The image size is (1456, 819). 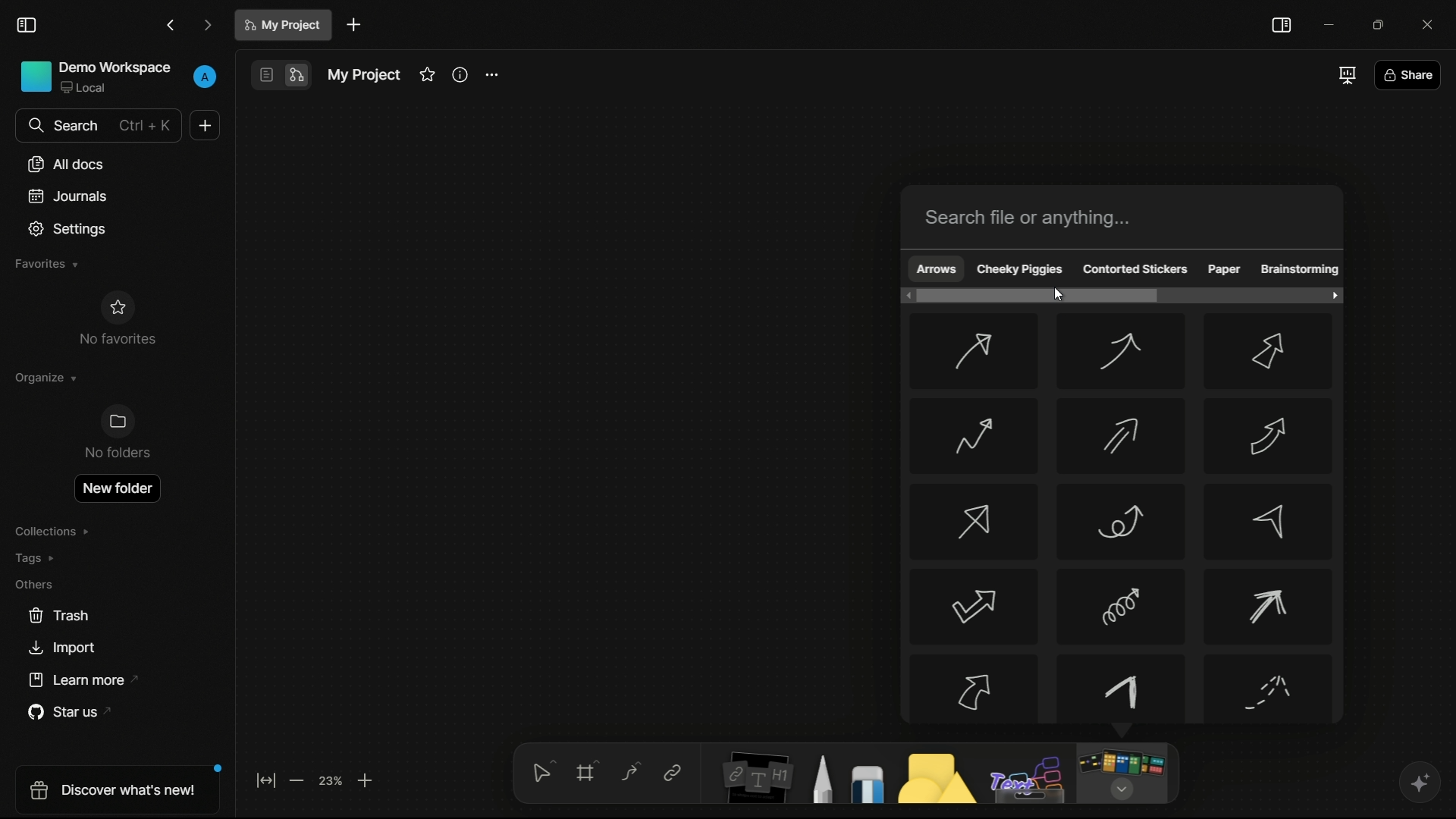 I want to click on scroll left, so click(x=905, y=296).